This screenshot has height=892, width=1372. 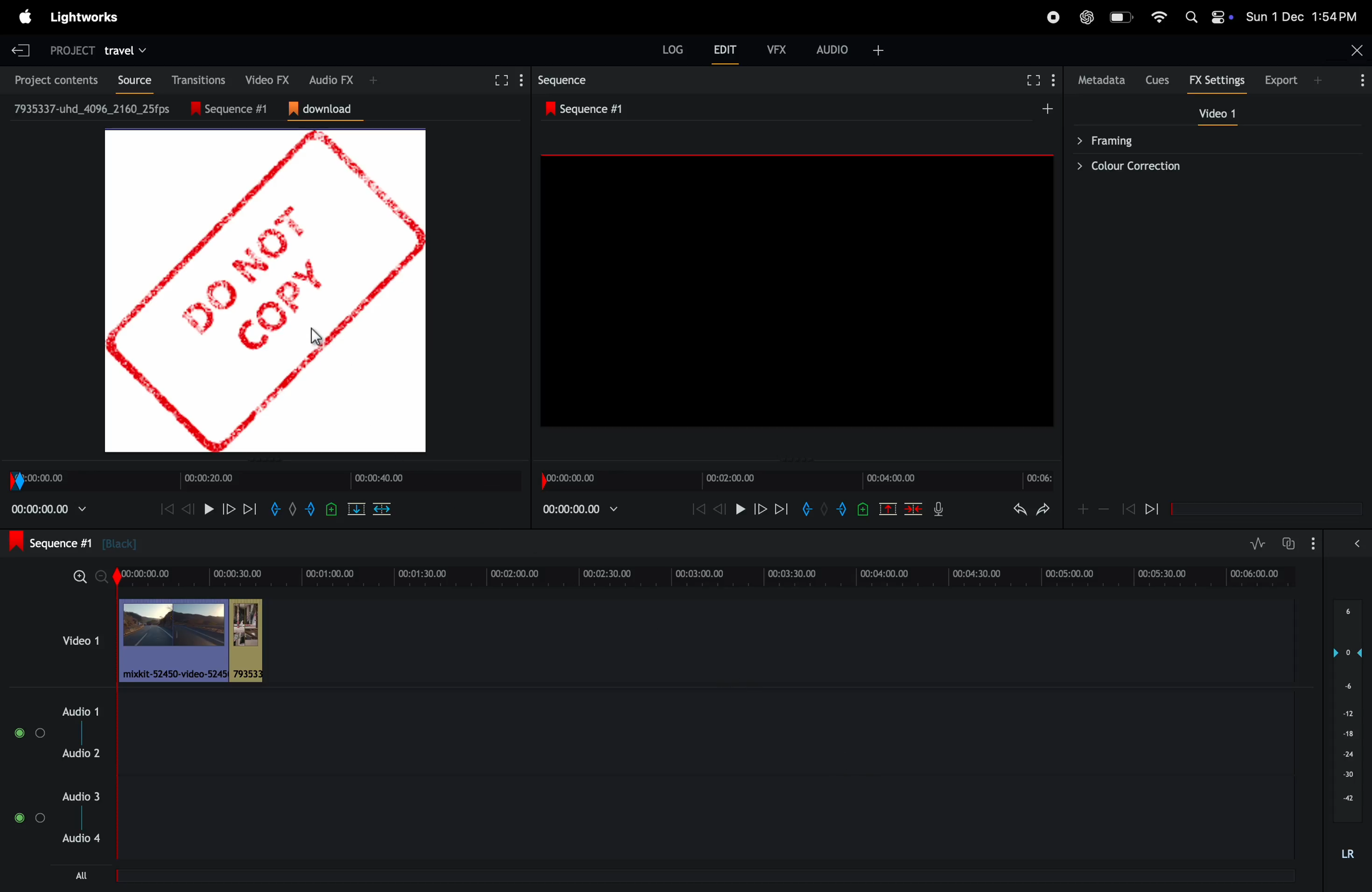 What do you see at coordinates (1087, 17) in the screenshot?
I see `chatgpt` at bounding box center [1087, 17].